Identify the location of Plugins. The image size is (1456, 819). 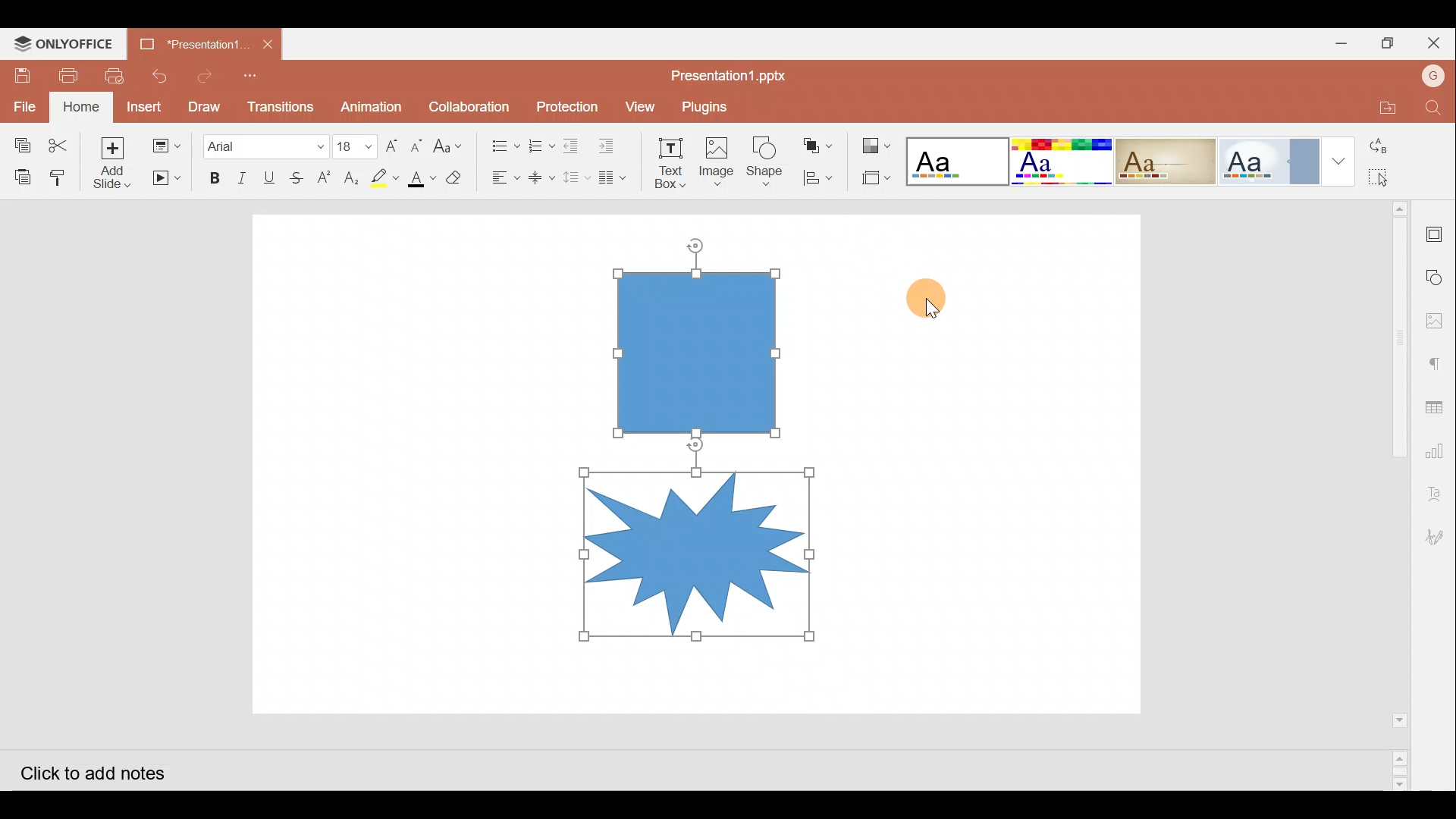
(715, 104).